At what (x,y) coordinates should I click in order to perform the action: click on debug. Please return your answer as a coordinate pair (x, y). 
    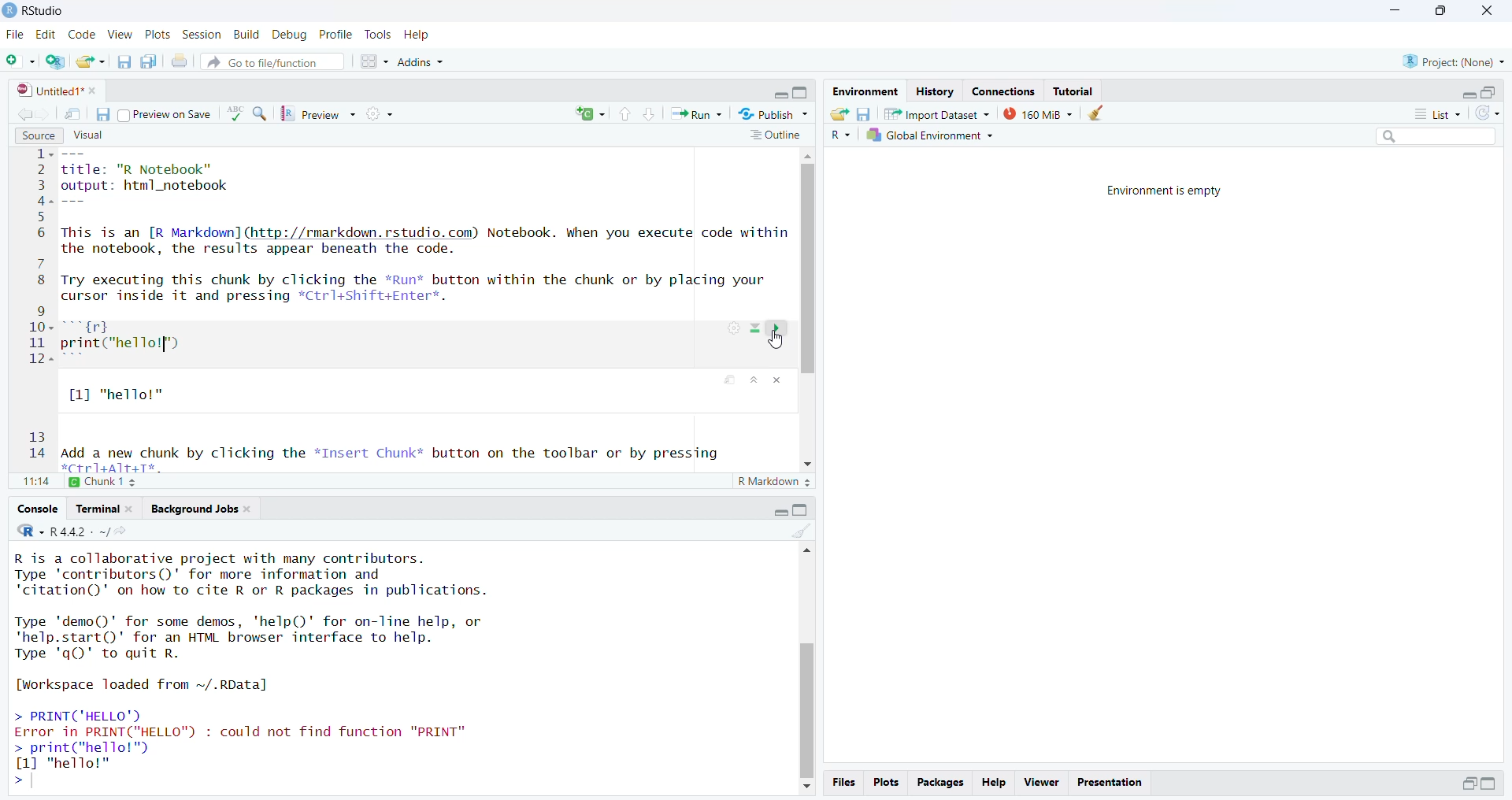
    Looking at the image, I should click on (291, 35).